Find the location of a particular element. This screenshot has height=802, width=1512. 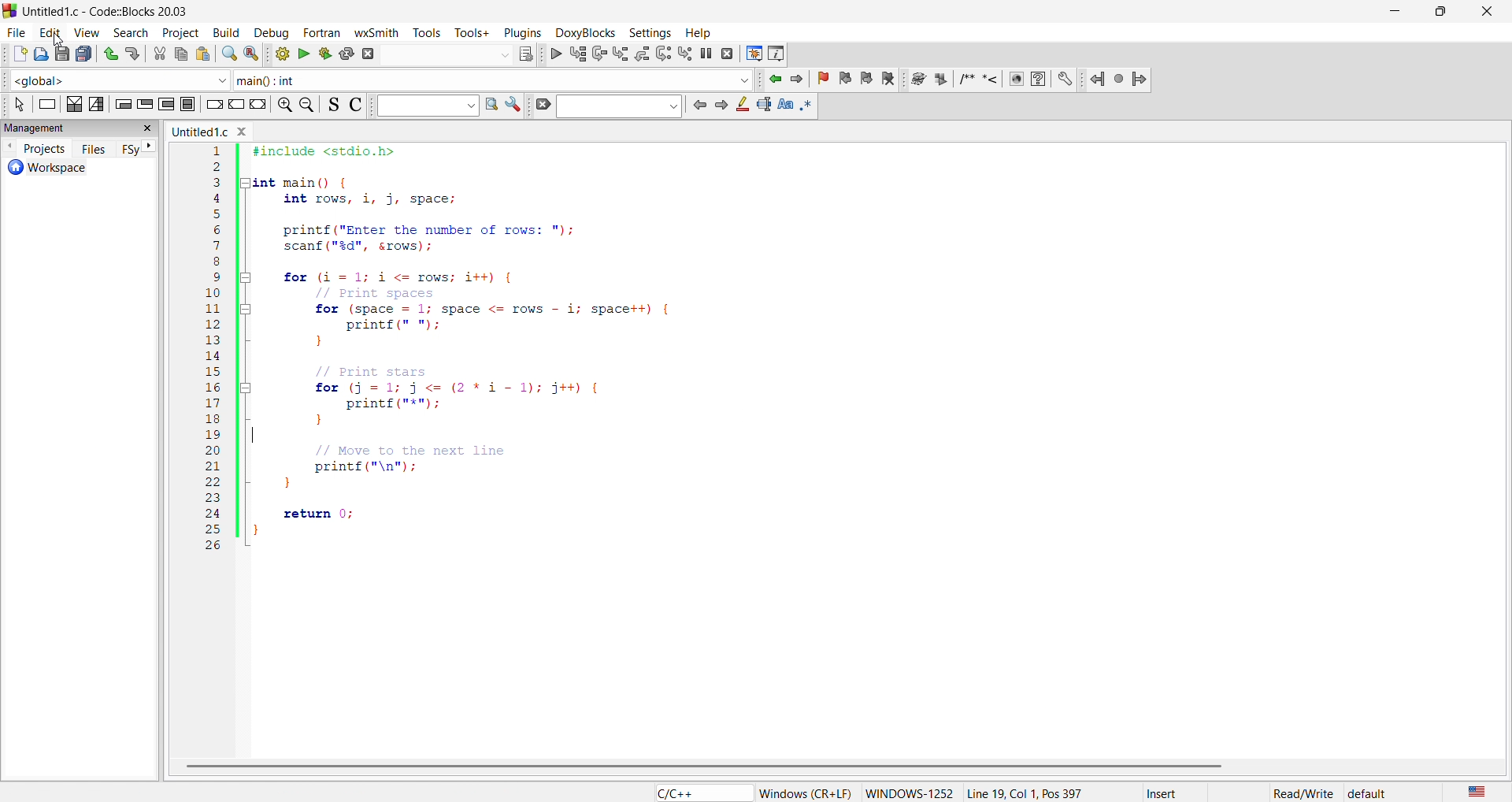

decision is located at coordinates (74, 103).